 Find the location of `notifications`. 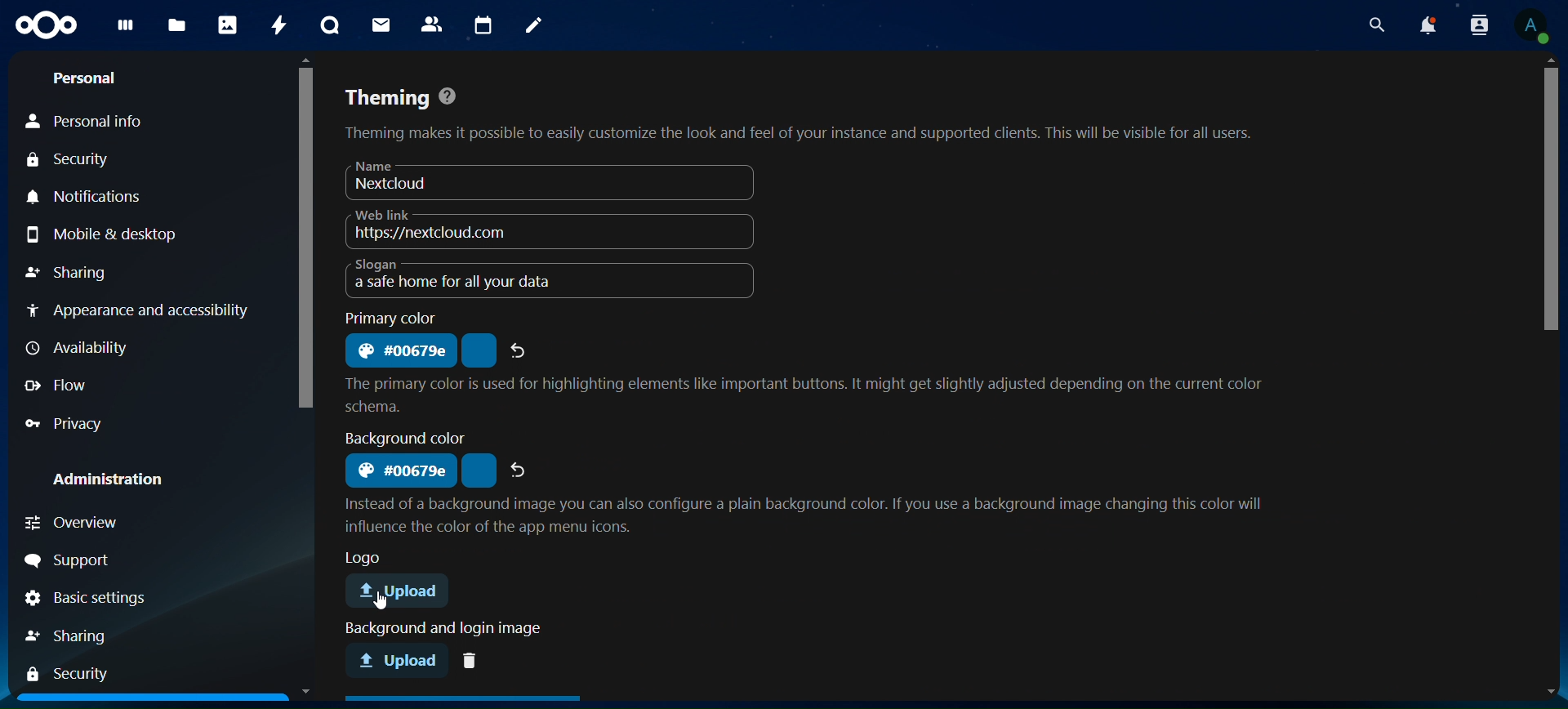

notifications is located at coordinates (81, 194).